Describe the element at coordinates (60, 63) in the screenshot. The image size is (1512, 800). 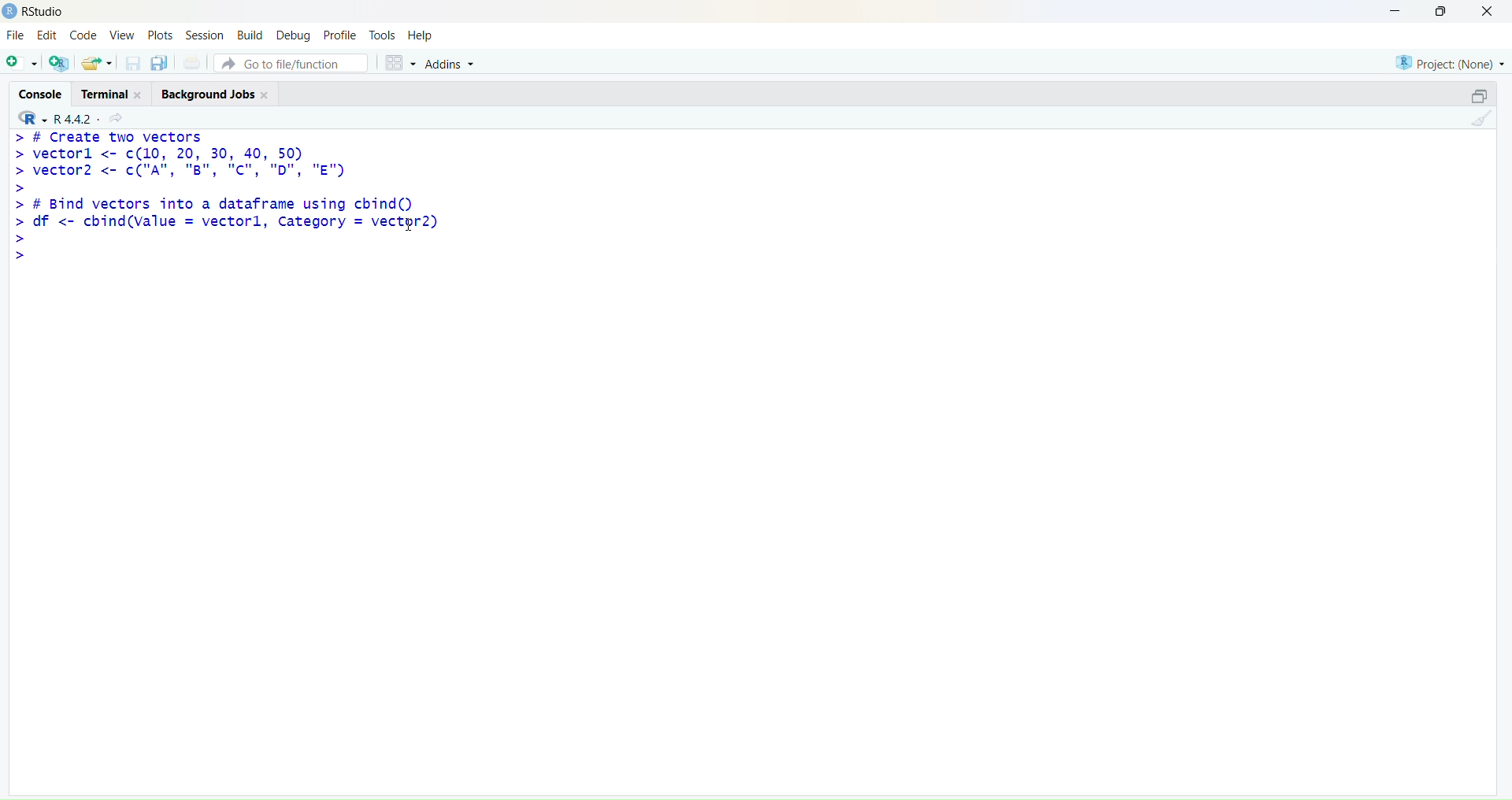
I see `Create project` at that location.